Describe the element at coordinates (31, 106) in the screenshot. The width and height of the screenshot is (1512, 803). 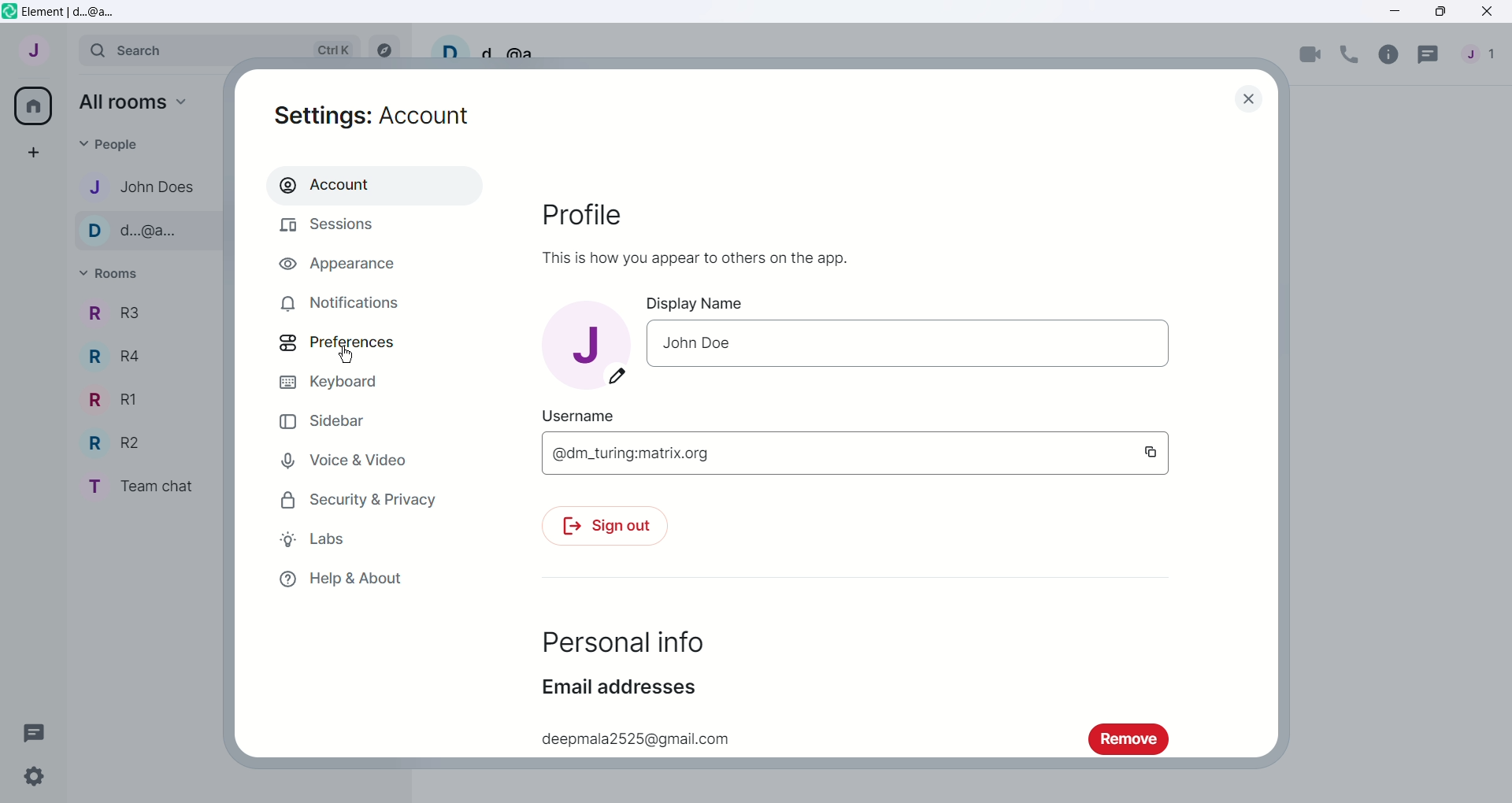
I see `All rooms` at that location.